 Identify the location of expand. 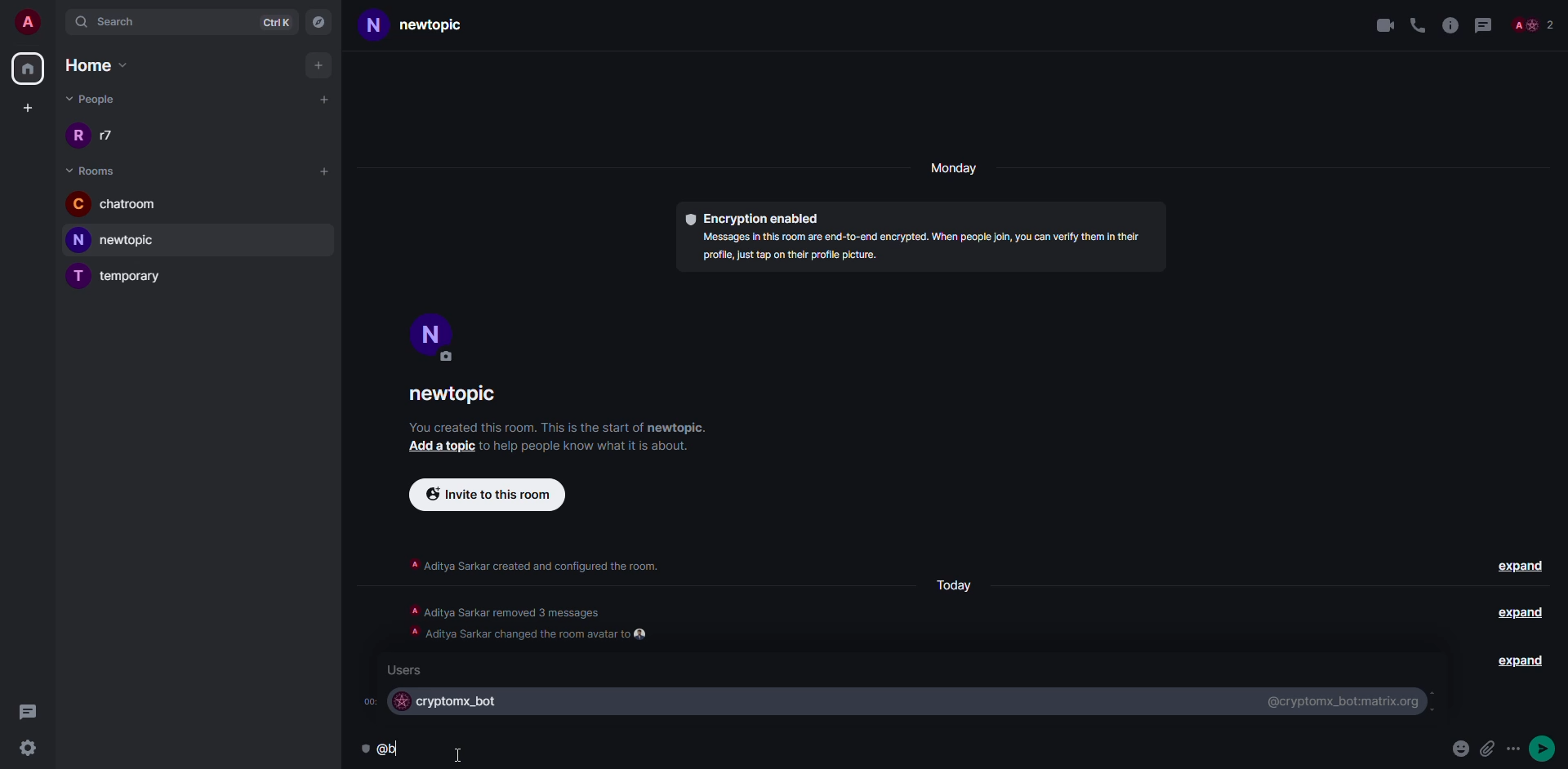
(1518, 612).